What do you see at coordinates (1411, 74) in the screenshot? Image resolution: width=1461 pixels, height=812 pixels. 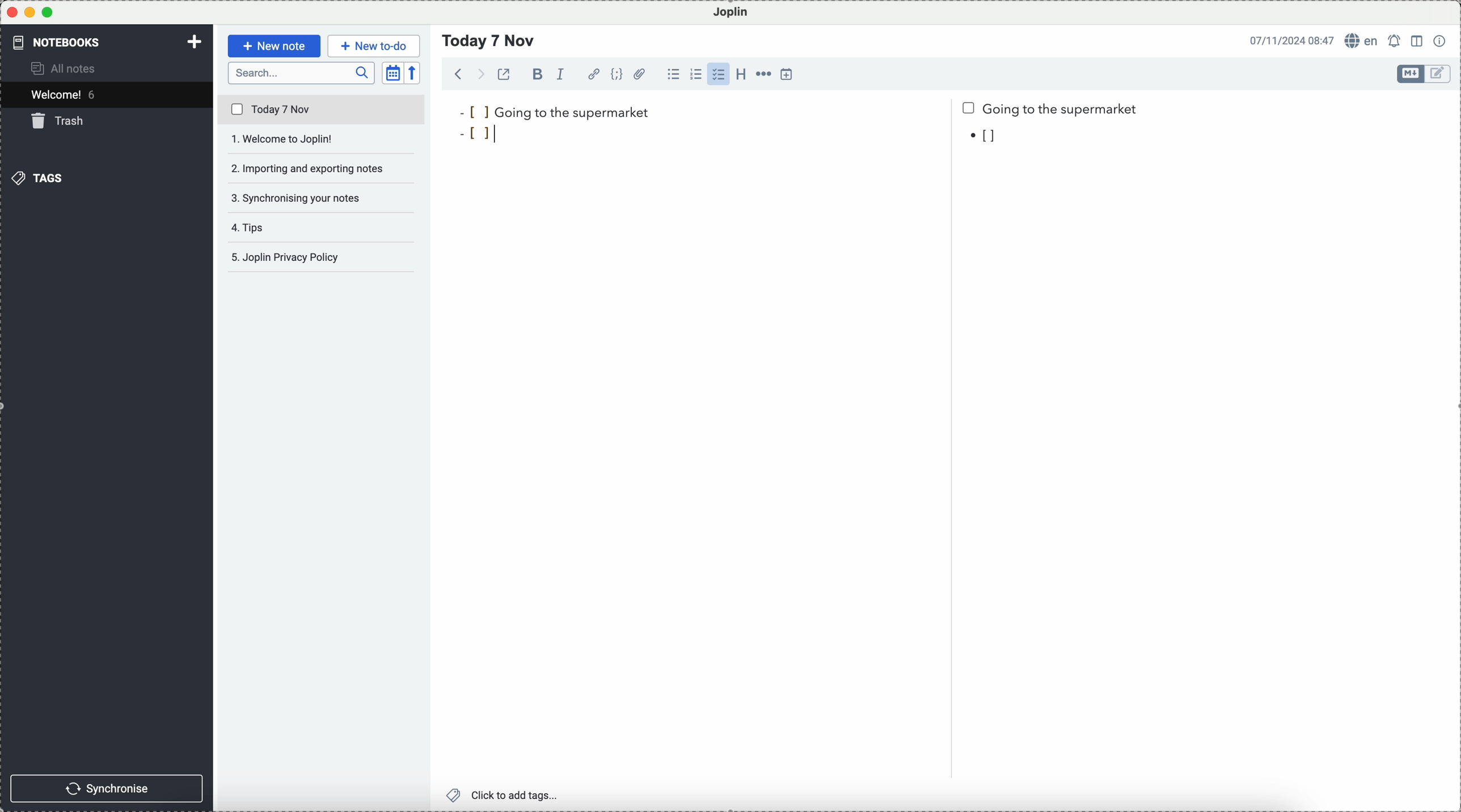 I see `toggle editors` at bounding box center [1411, 74].